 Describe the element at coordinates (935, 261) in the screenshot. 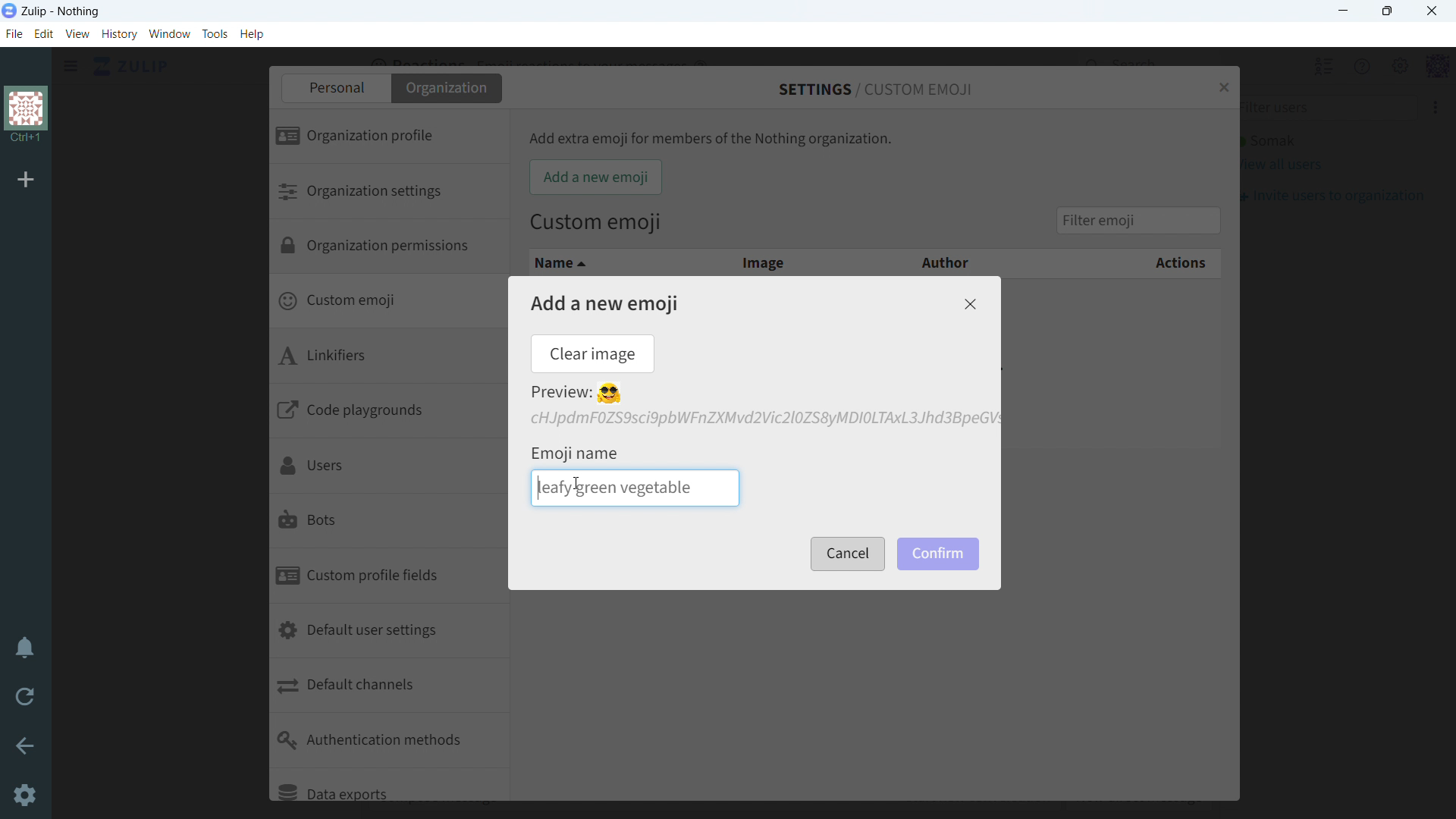

I see `author` at that location.